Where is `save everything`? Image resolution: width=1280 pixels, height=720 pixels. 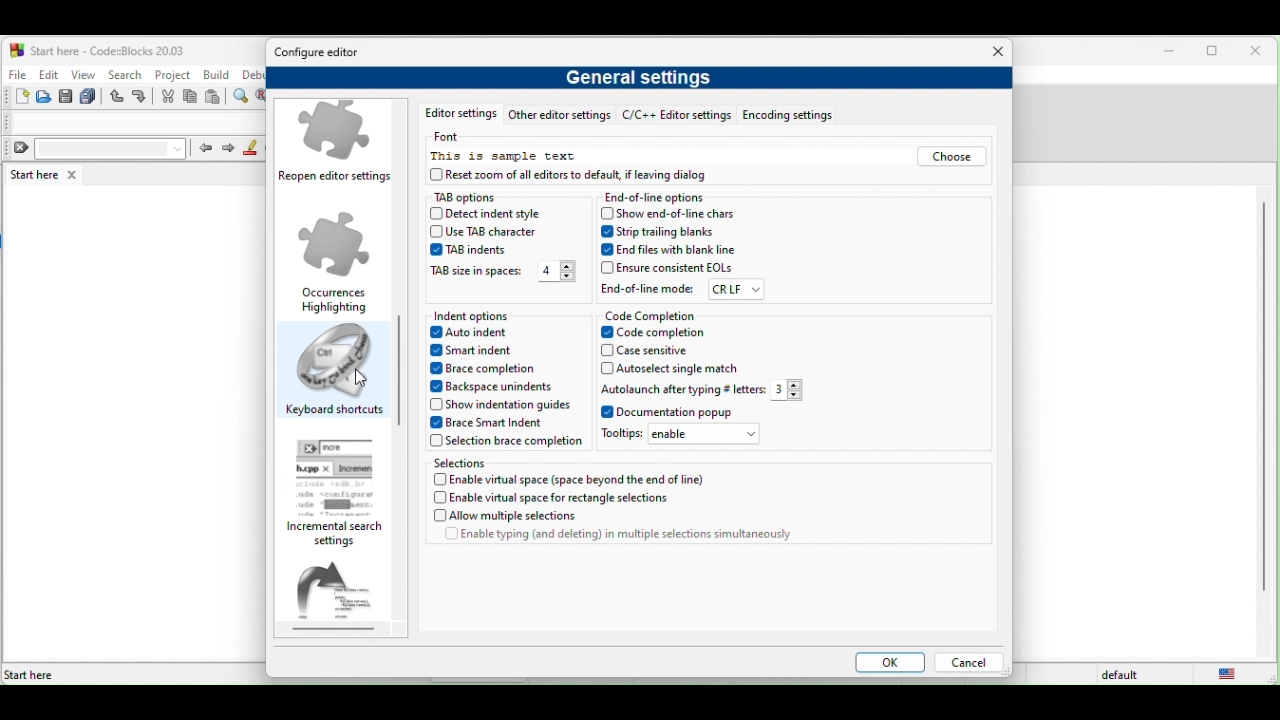
save everything is located at coordinates (90, 97).